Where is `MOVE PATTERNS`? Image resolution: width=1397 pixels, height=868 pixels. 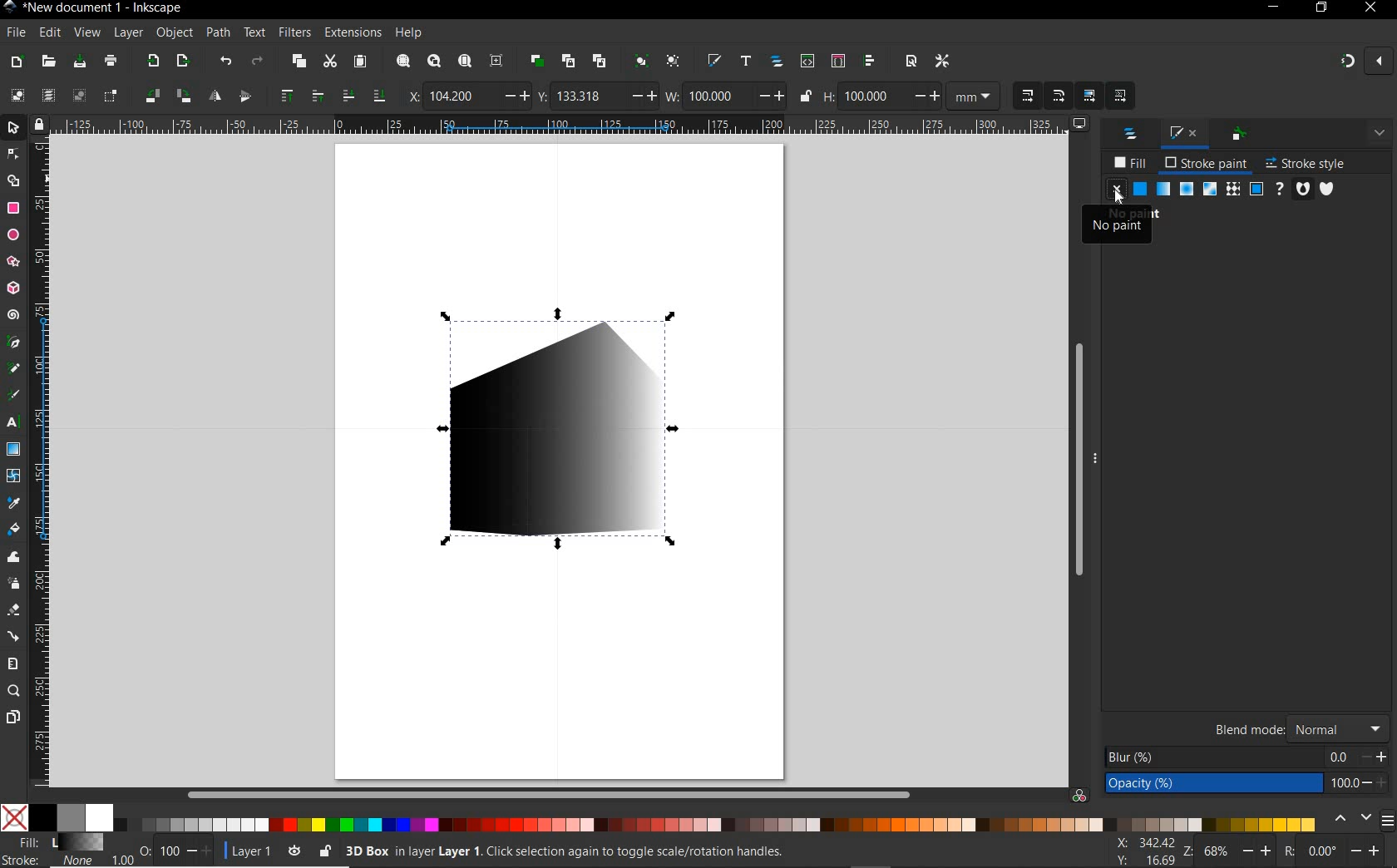 MOVE PATTERNS is located at coordinates (1118, 96).